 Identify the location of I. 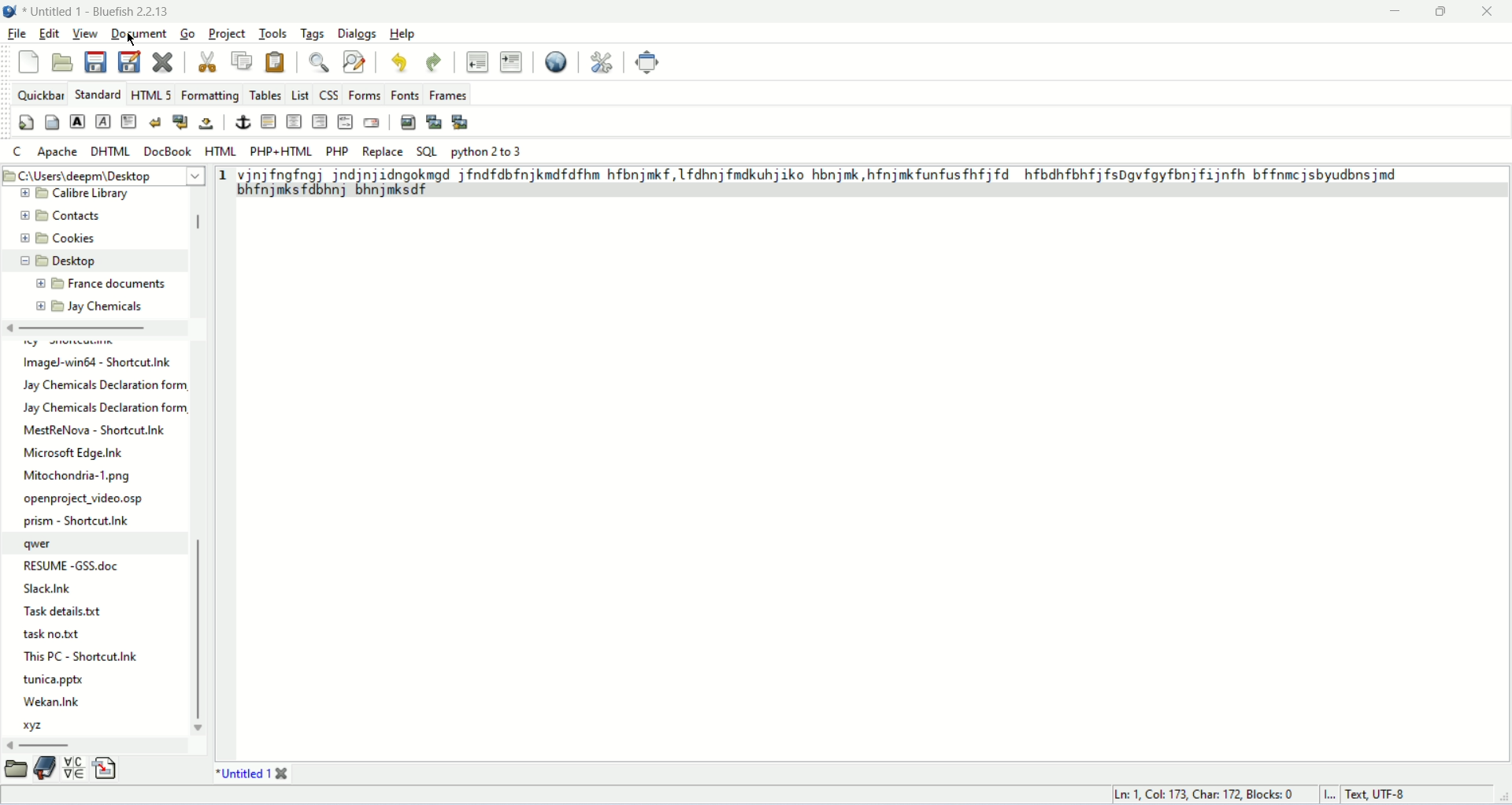
(1332, 794).